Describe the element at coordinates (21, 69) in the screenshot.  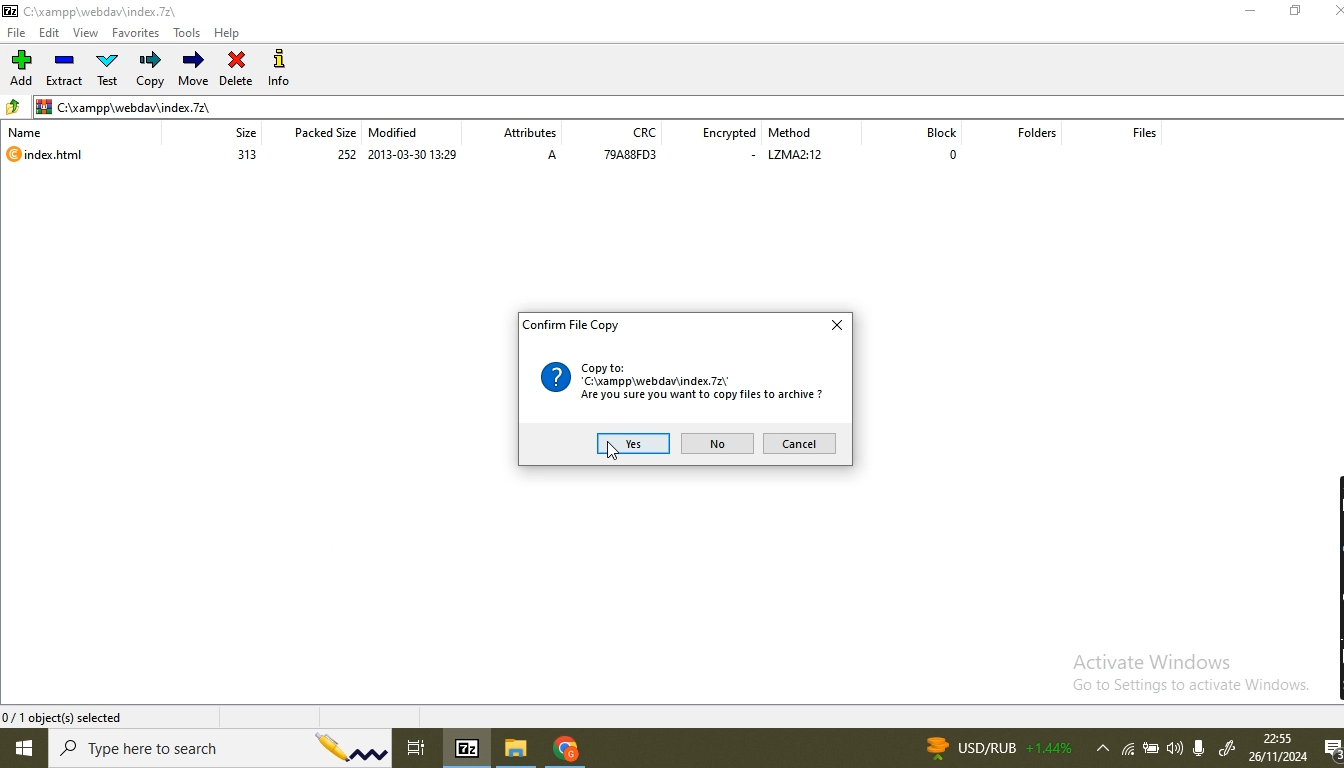
I see `add` at that location.